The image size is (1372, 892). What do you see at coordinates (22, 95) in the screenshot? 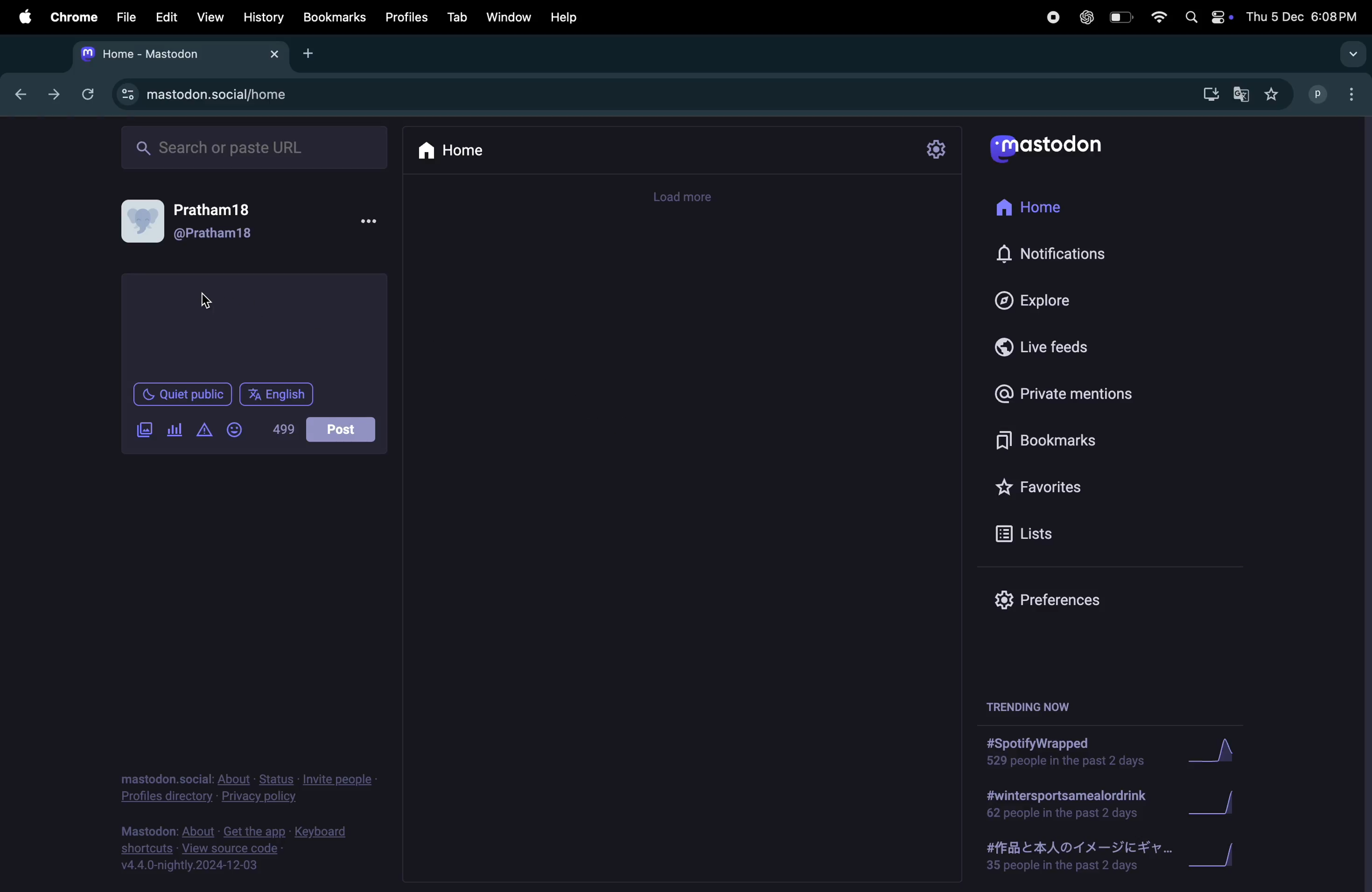
I see `backward` at bounding box center [22, 95].